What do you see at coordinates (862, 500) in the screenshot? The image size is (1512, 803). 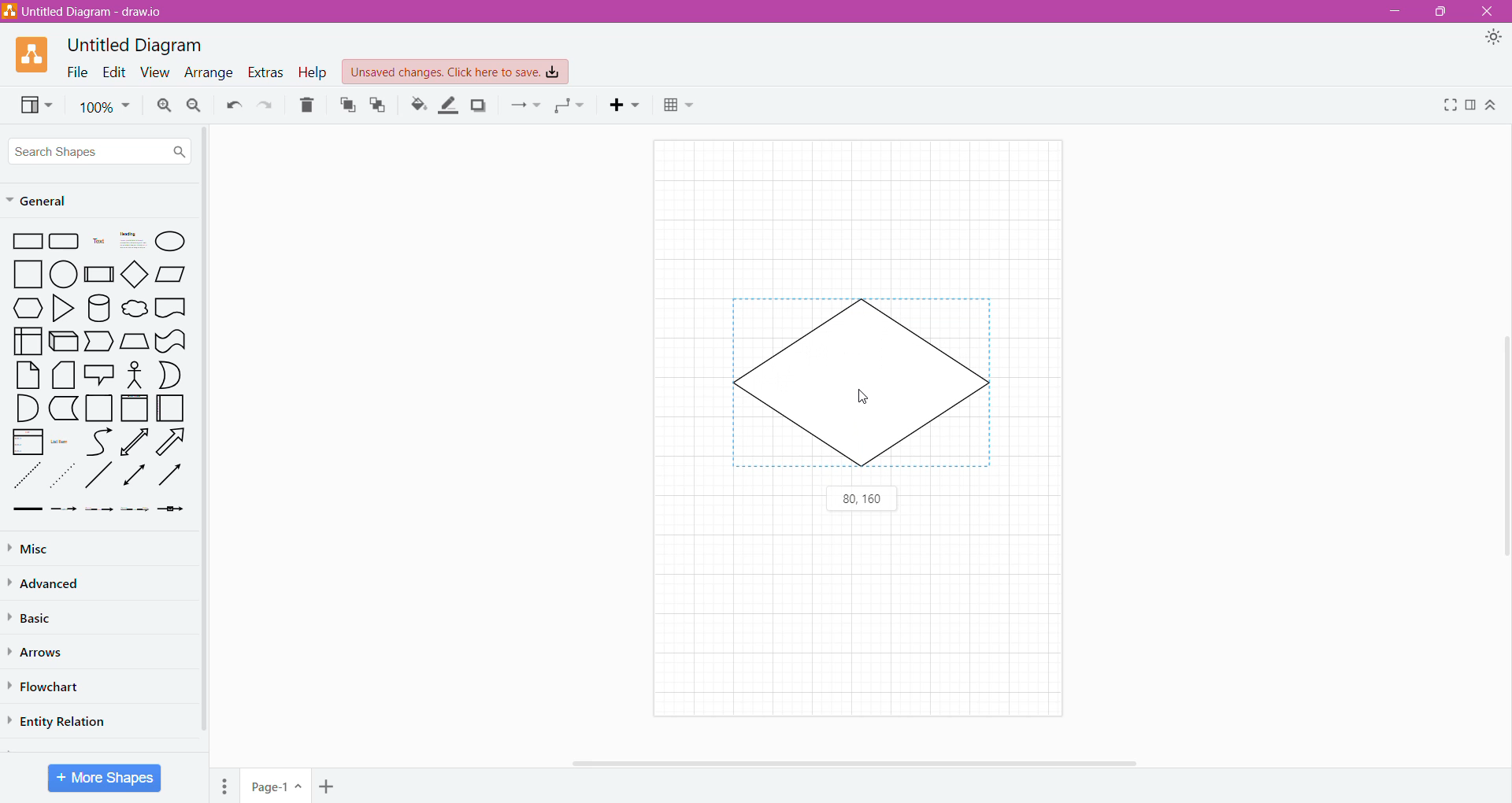 I see `80, 160` at bounding box center [862, 500].